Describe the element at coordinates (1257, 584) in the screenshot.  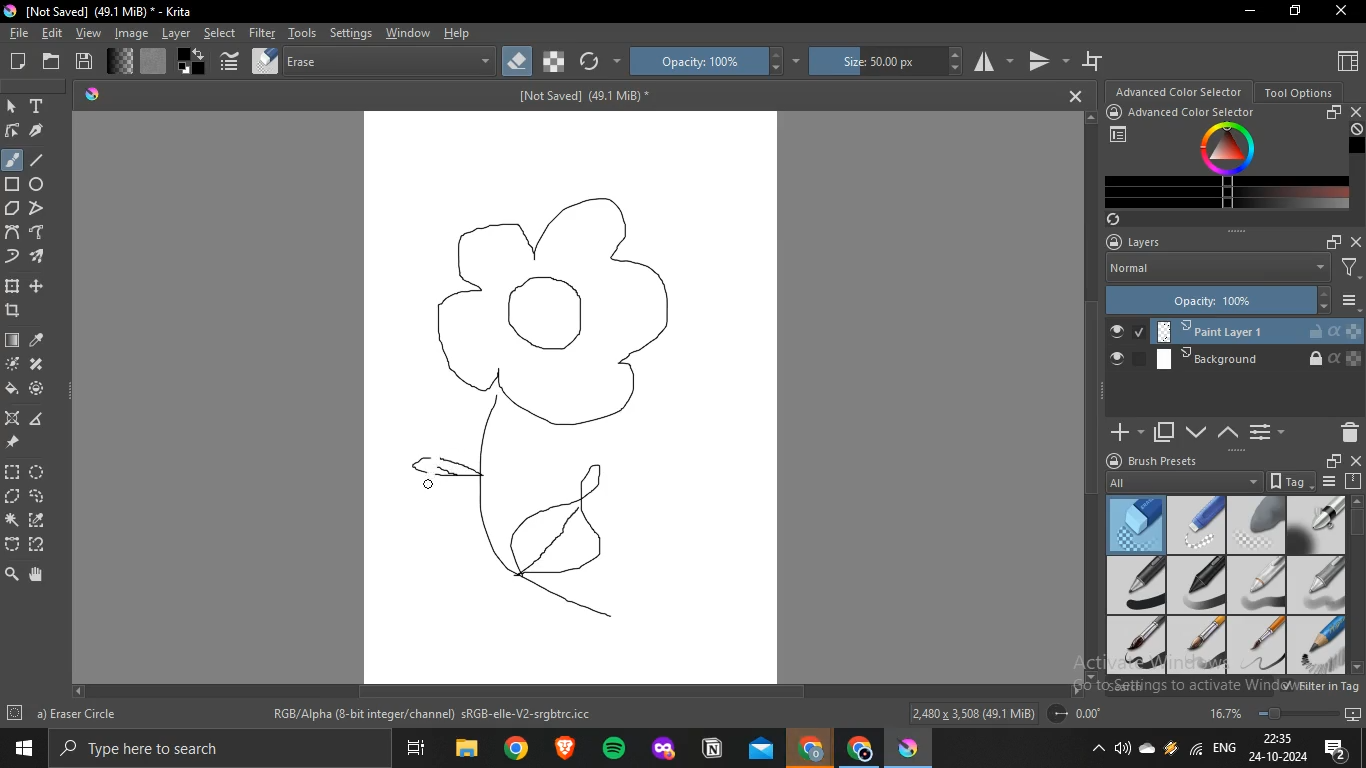
I see `basic 3 flow` at that location.